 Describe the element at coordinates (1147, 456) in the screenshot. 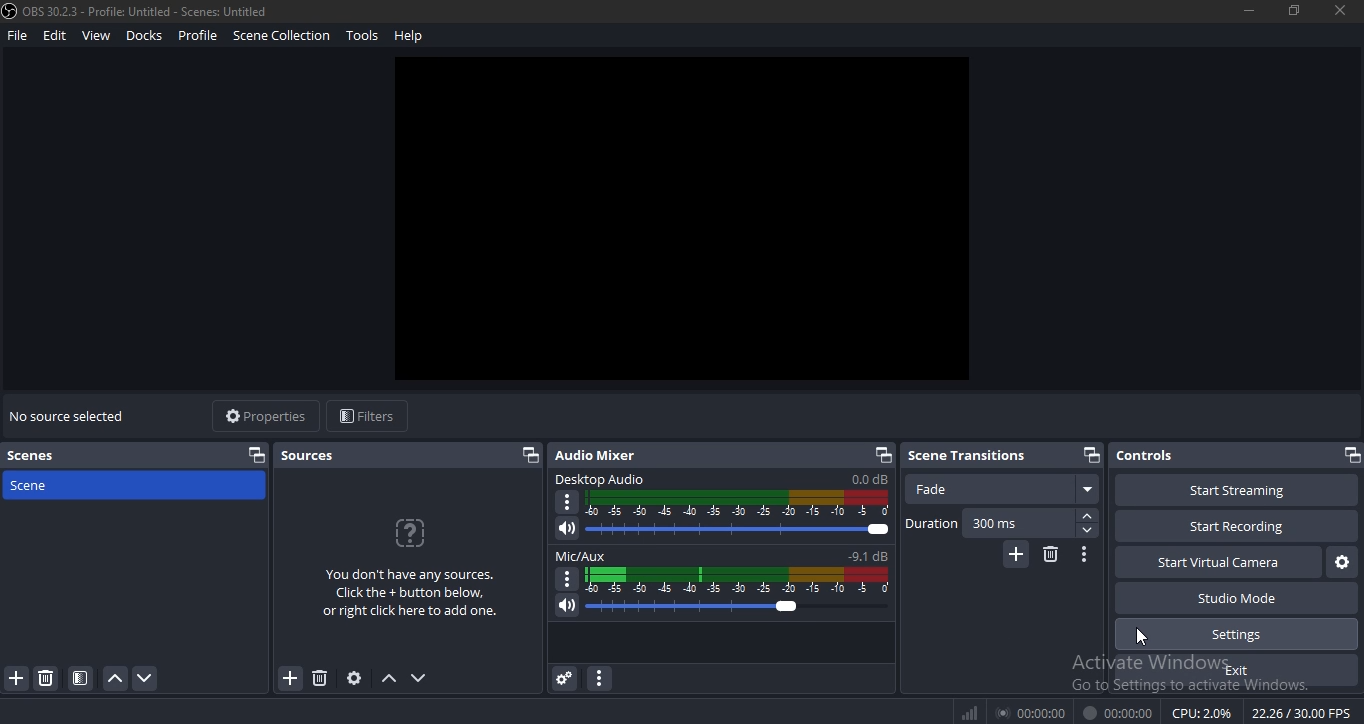

I see `controls` at that location.